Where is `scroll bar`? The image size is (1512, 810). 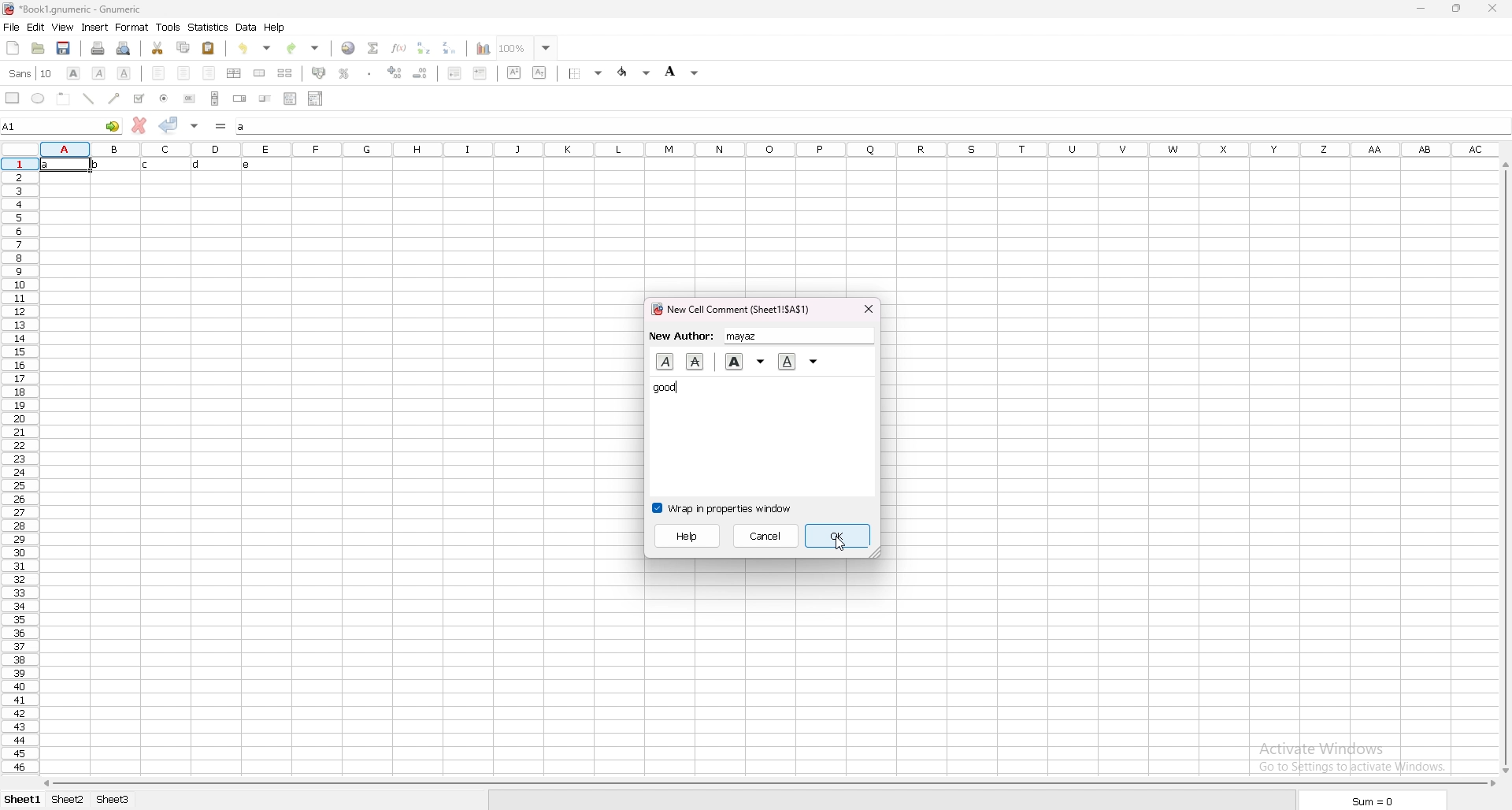
scroll bar is located at coordinates (772, 786).